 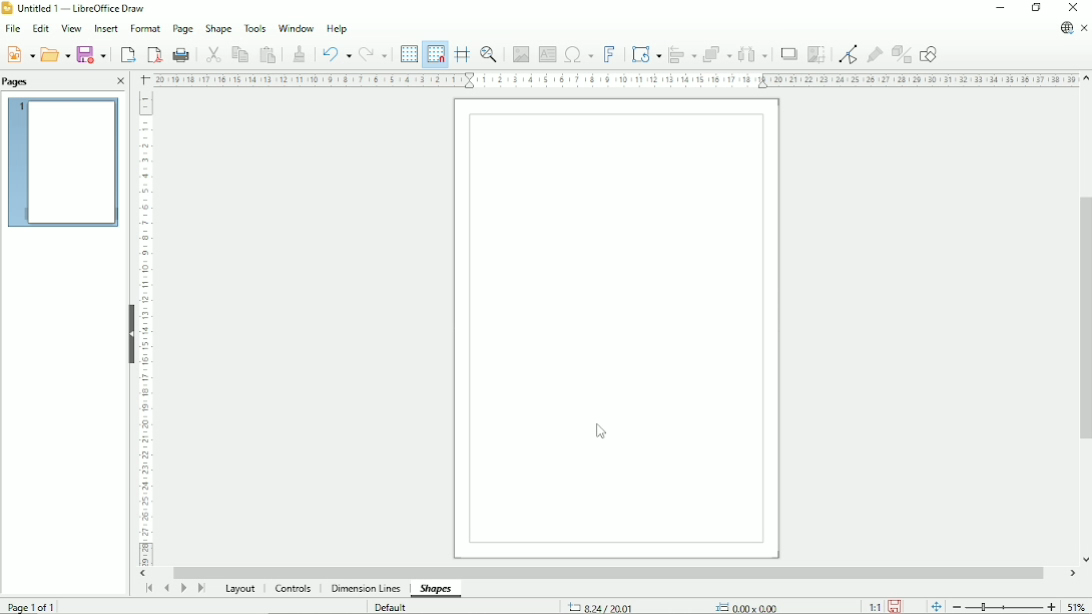 I want to click on Zoom factor, so click(x=1077, y=607).